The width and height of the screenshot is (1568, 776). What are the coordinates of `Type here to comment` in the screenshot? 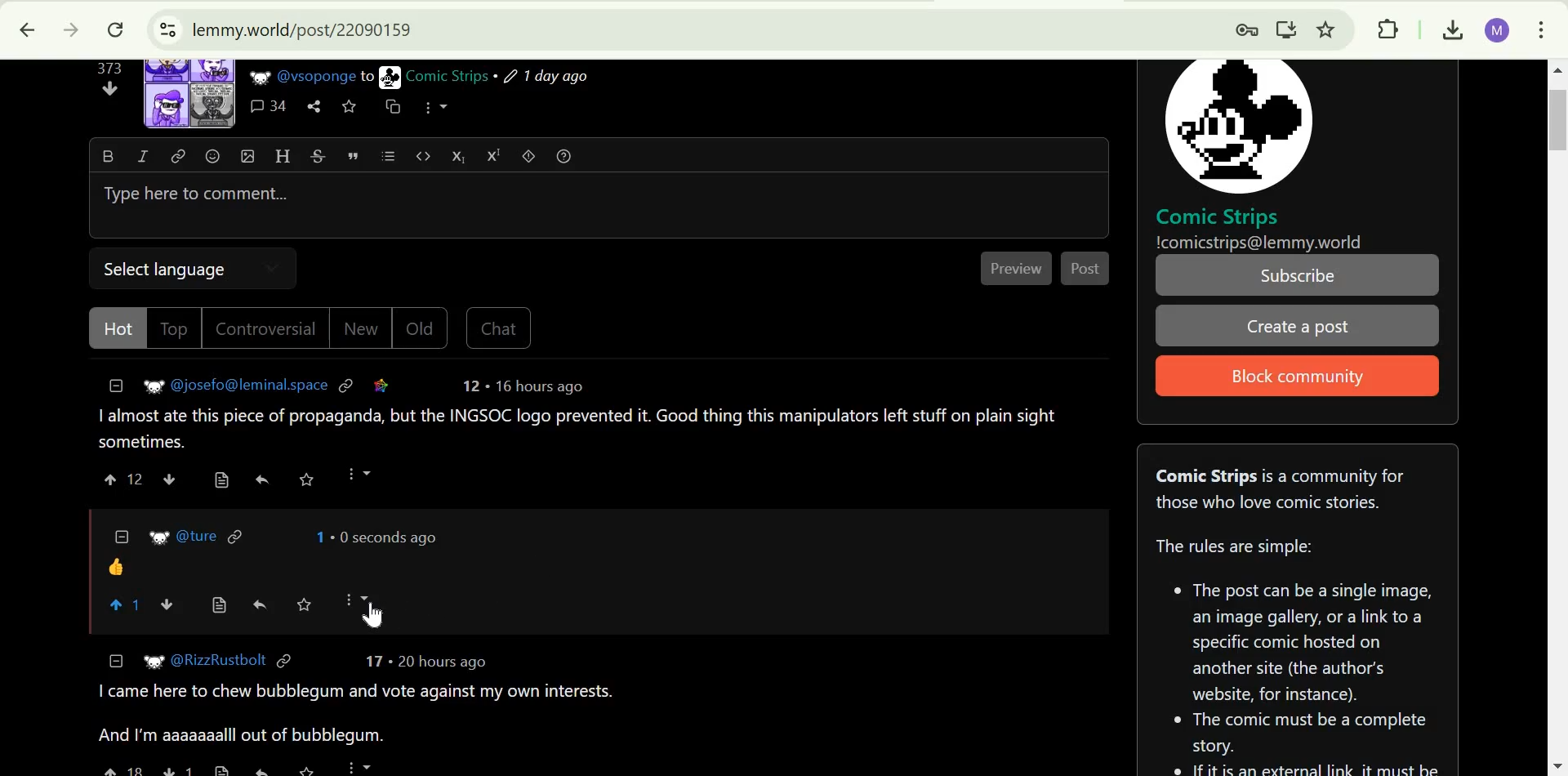 It's located at (596, 207).